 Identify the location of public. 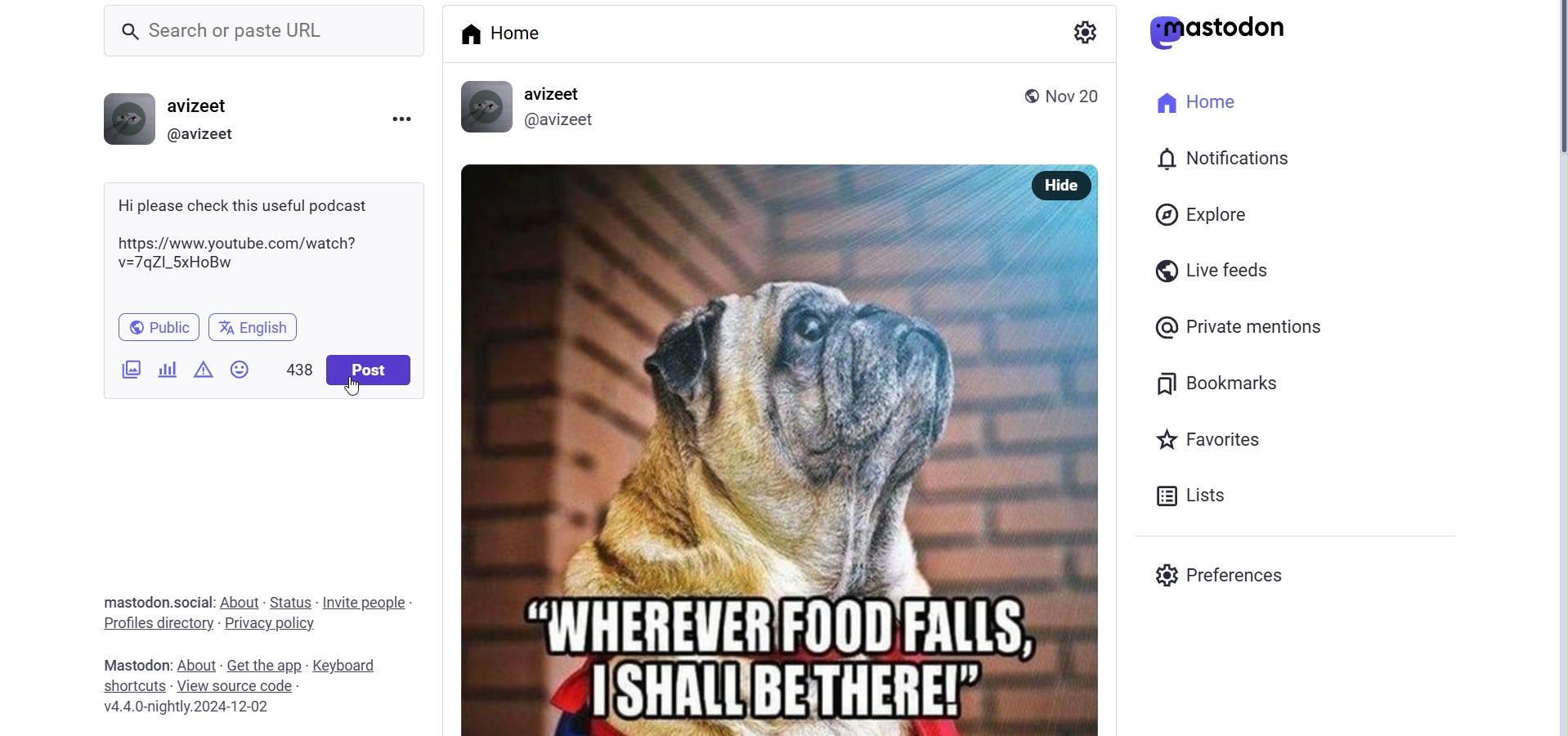
(1025, 95).